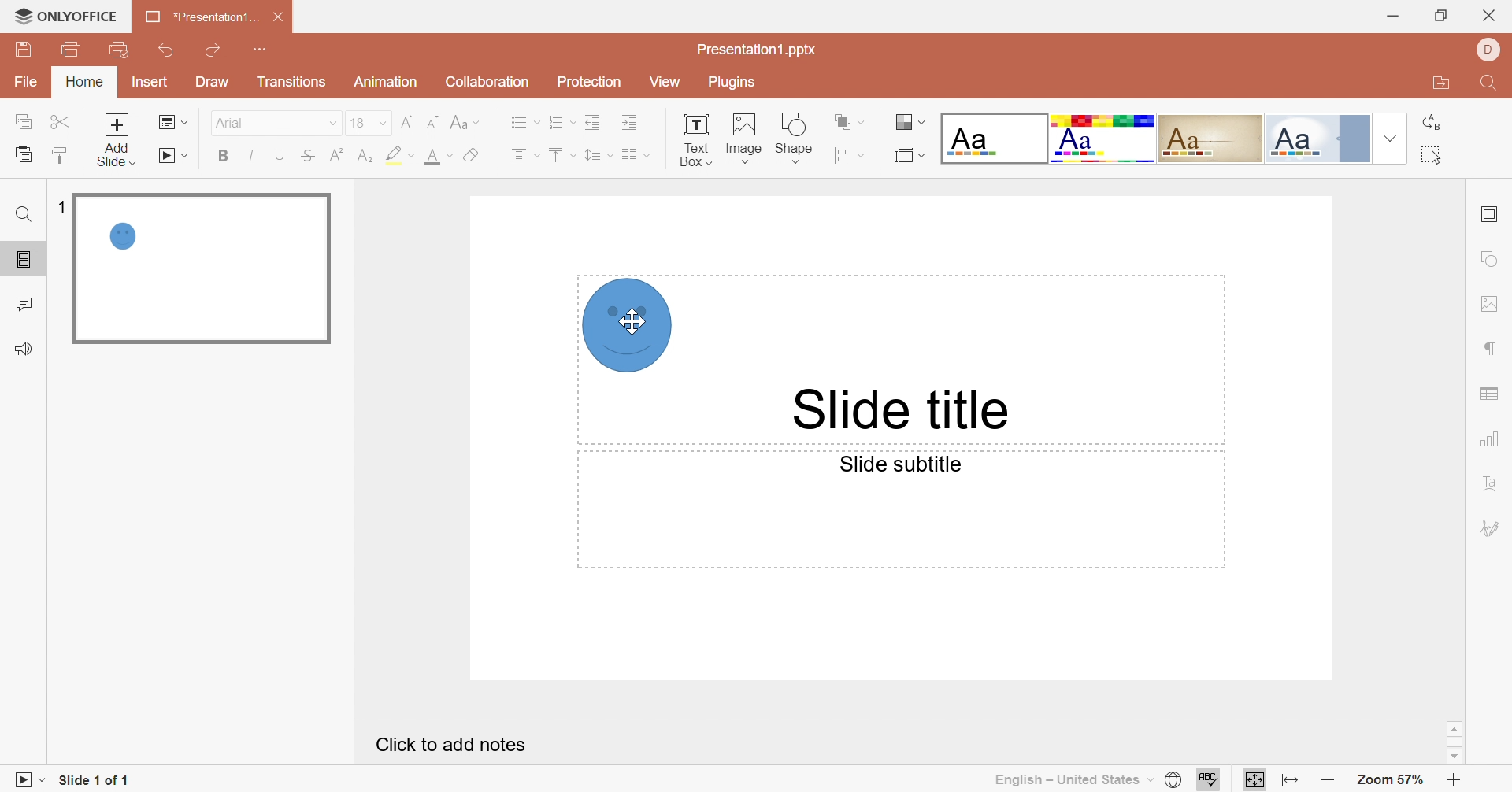  I want to click on Highlight color, so click(398, 154).